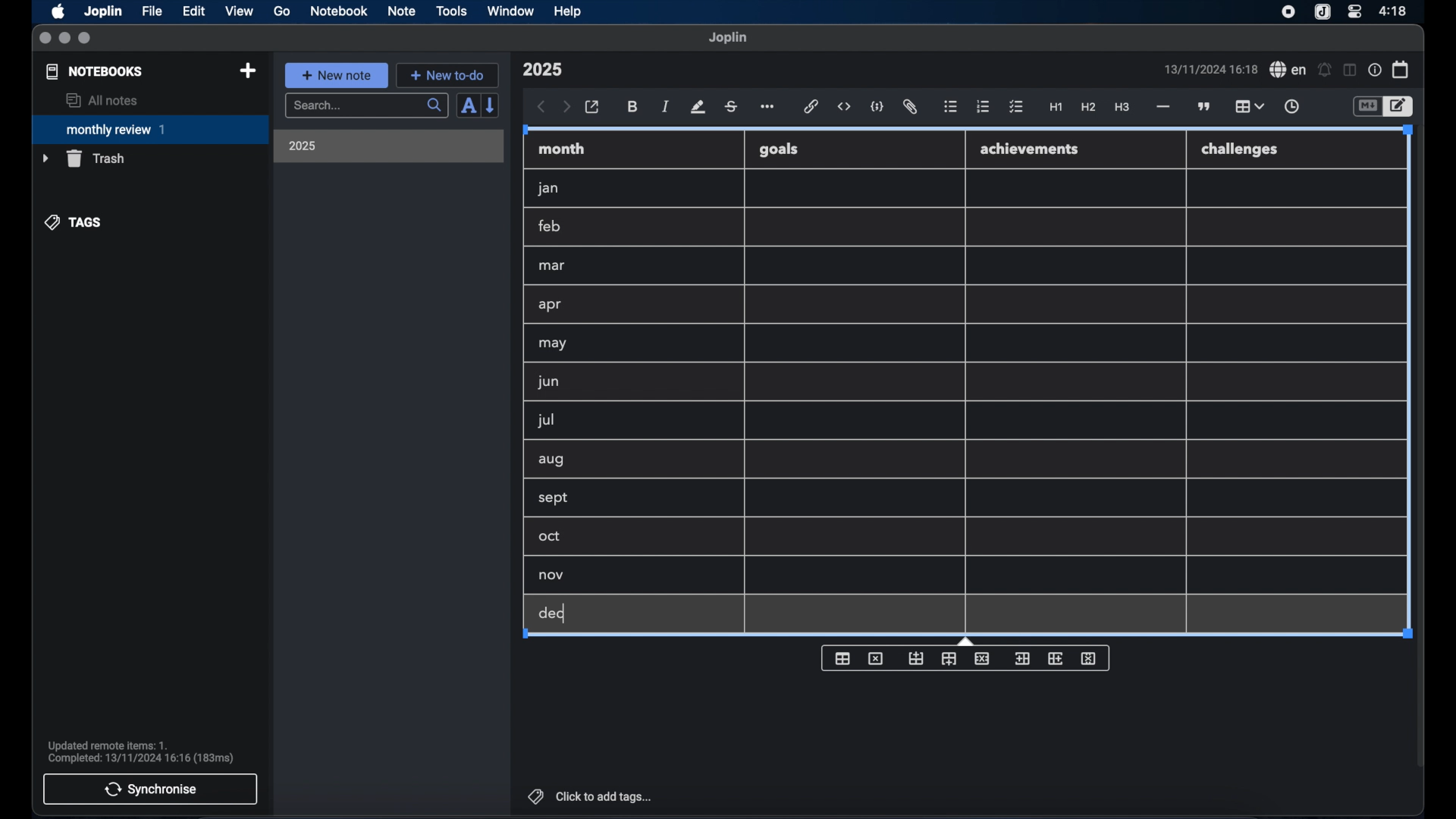 Image resolution: width=1456 pixels, height=819 pixels. Describe the element at coordinates (448, 75) in the screenshot. I see `new to-do` at that location.